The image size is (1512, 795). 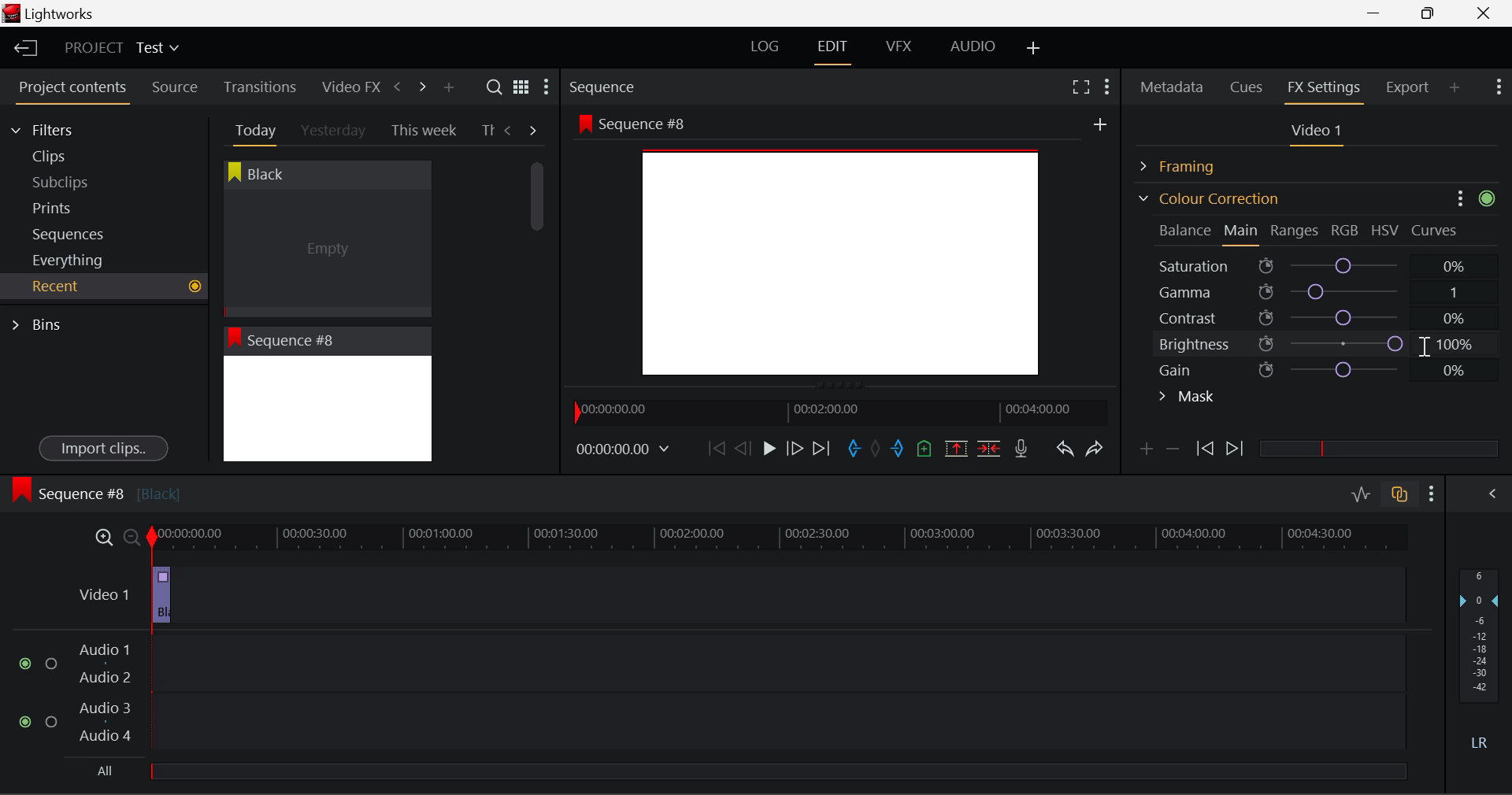 I want to click on Project Timeline Navigator, so click(x=838, y=412).